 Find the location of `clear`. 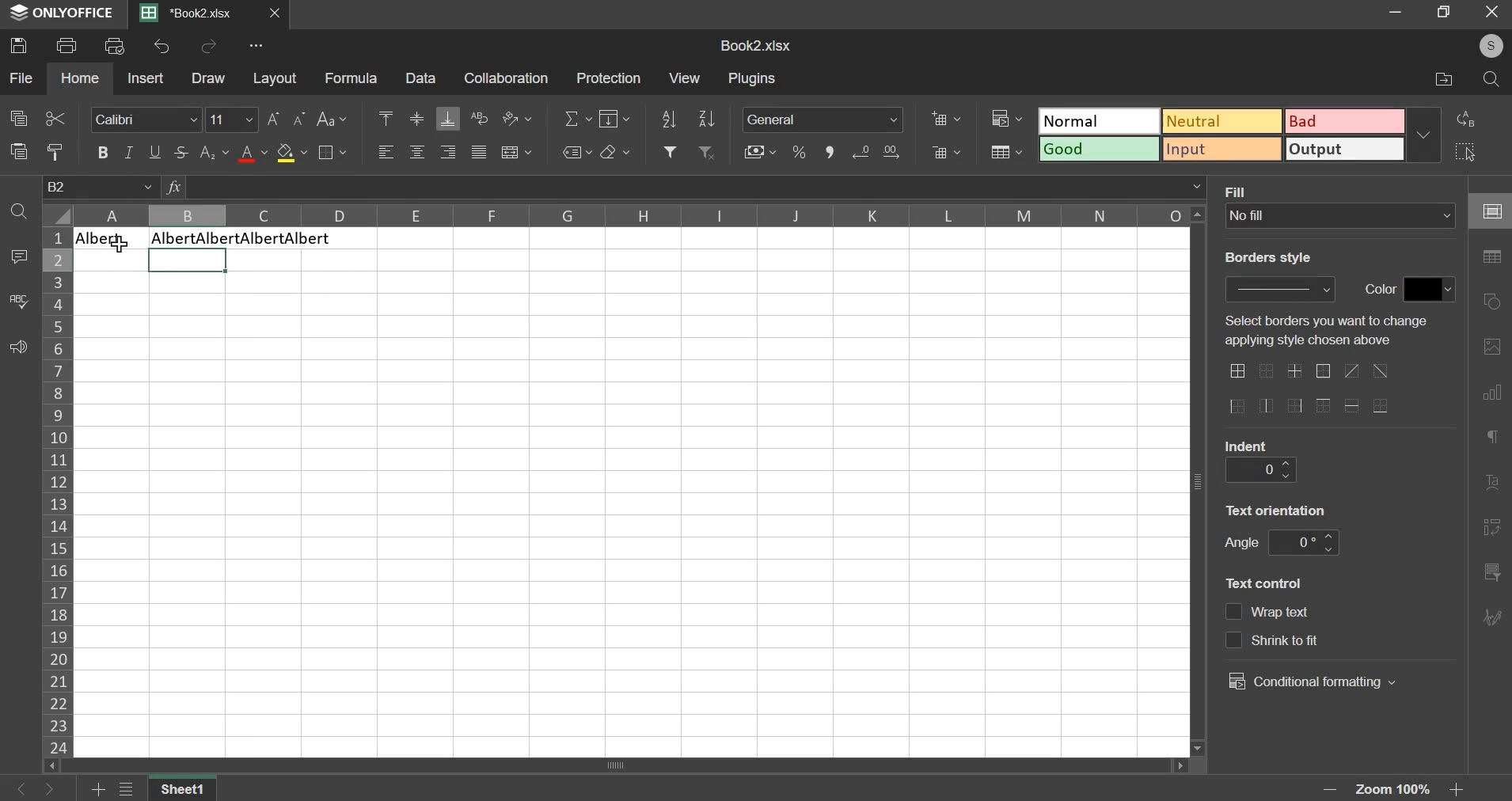

clear is located at coordinates (615, 151).